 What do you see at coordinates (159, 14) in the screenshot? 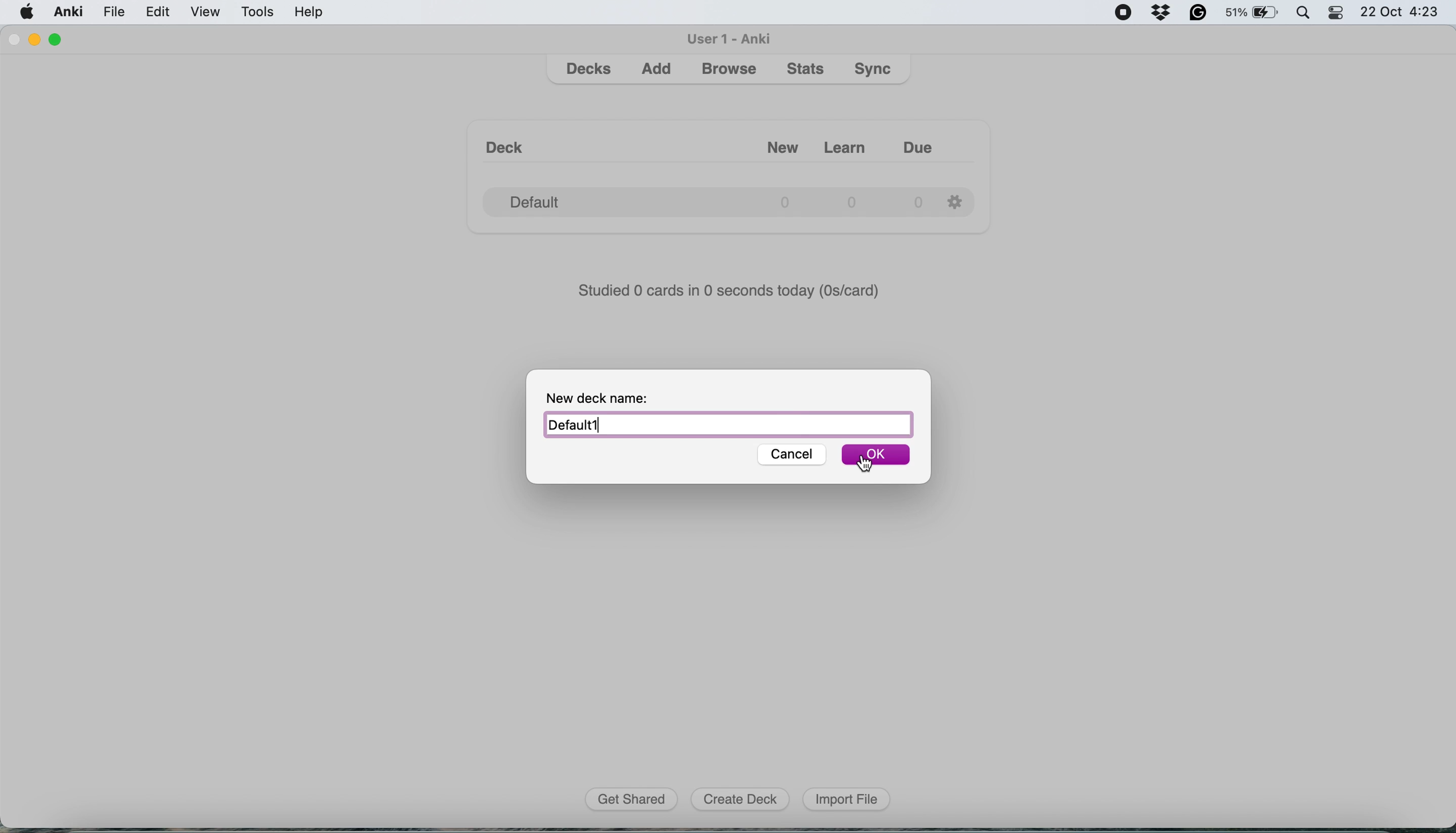
I see `edit` at bounding box center [159, 14].